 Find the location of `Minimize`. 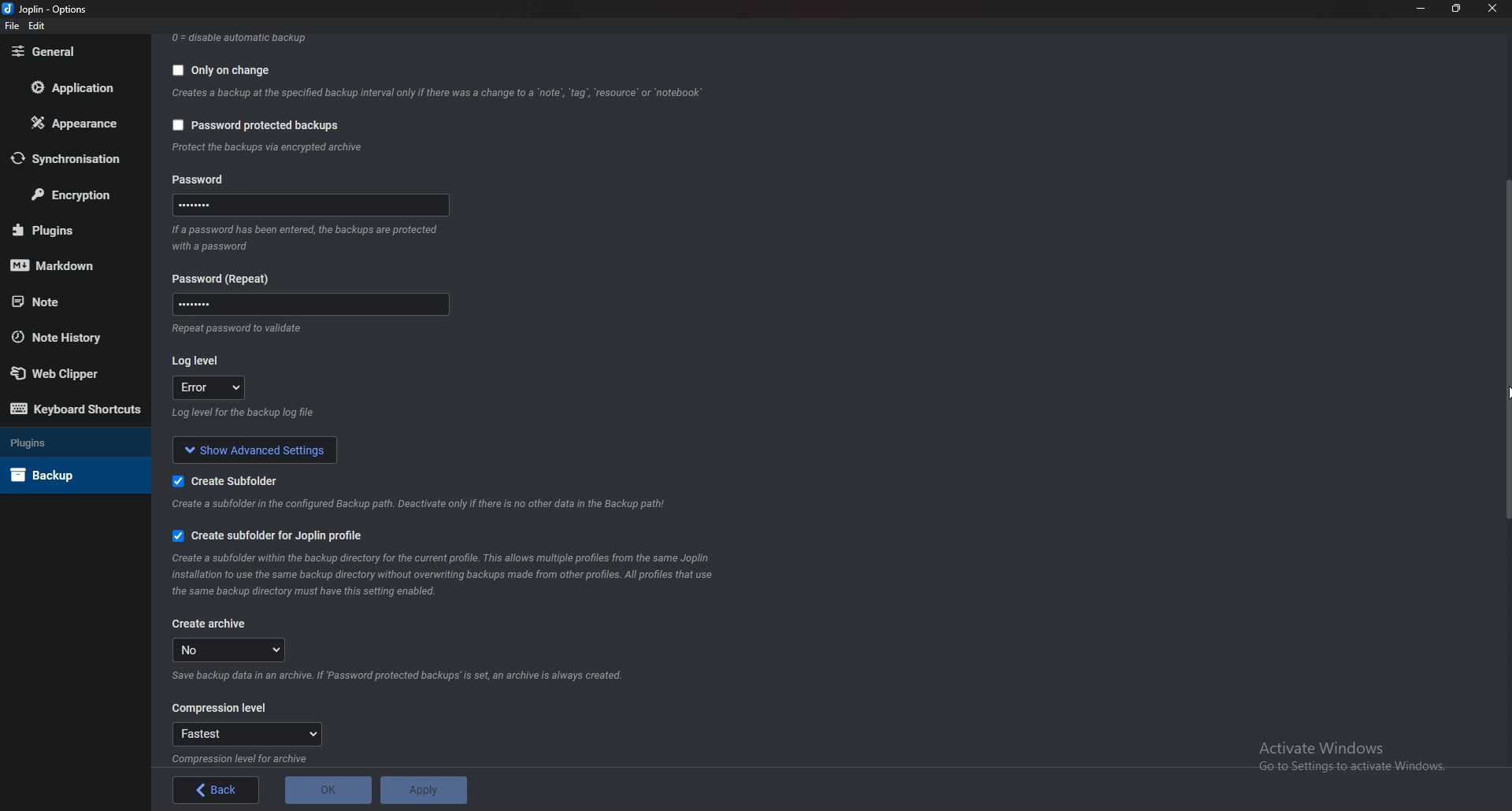

Minimize is located at coordinates (1421, 7).